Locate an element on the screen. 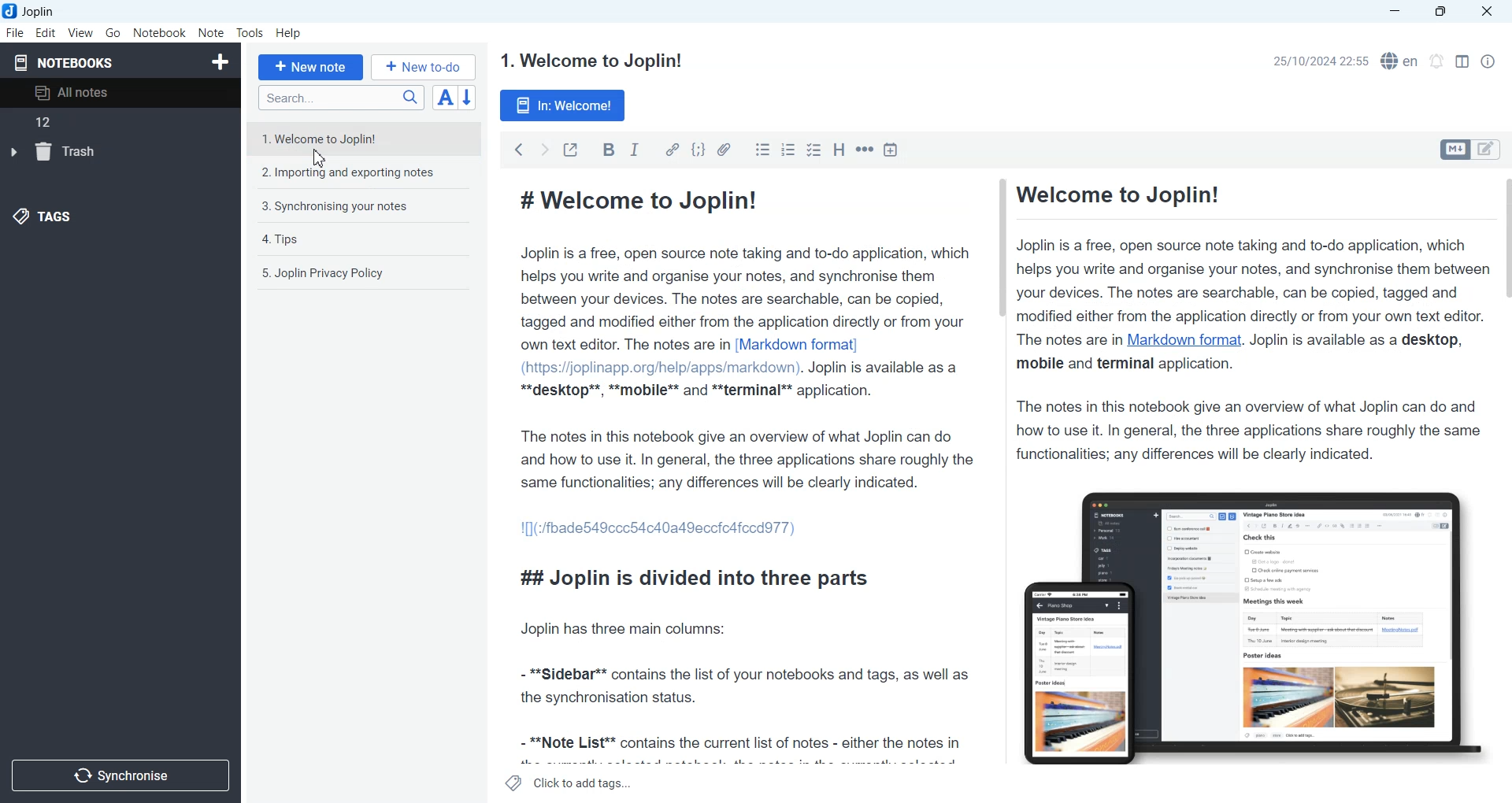  4. Tips is located at coordinates (282, 239).